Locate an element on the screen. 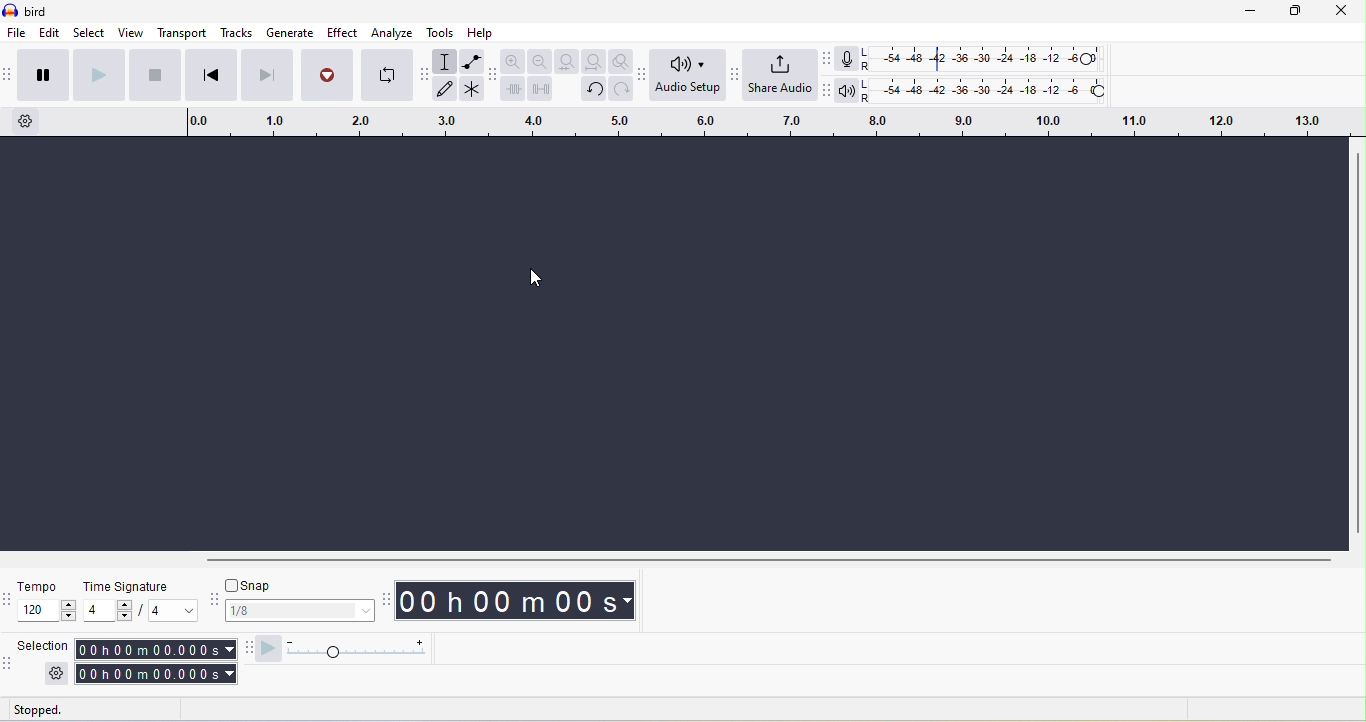 The image size is (1366, 722). help is located at coordinates (491, 34).